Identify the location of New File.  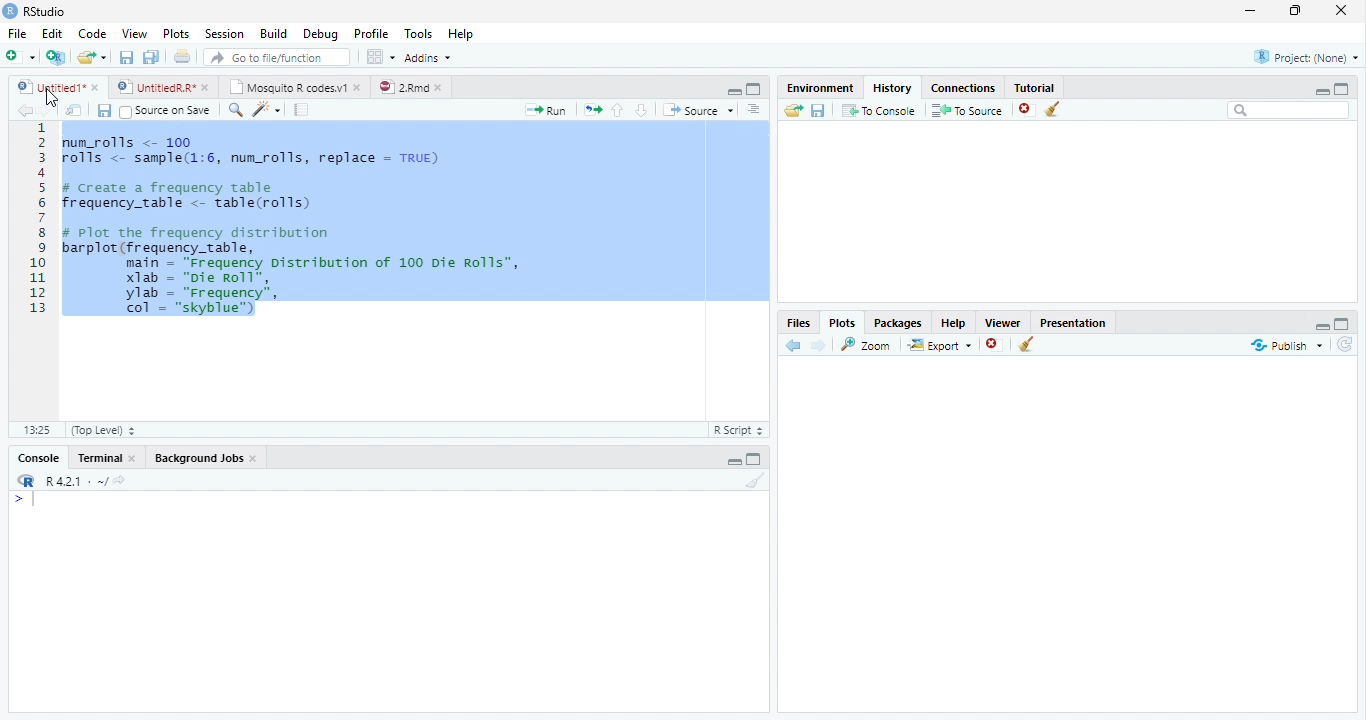
(20, 56).